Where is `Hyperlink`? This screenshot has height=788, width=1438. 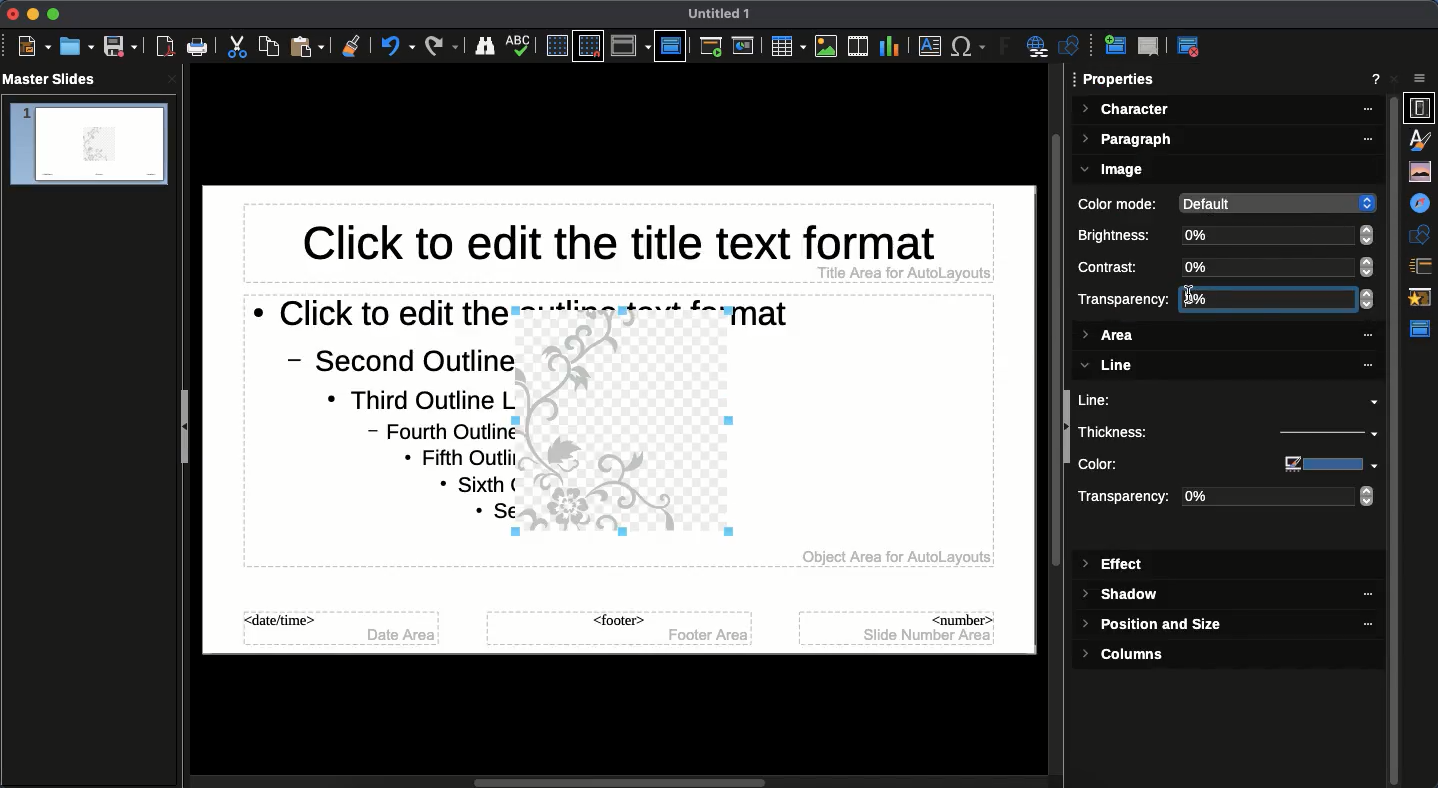 Hyperlink is located at coordinates (1040, 48).